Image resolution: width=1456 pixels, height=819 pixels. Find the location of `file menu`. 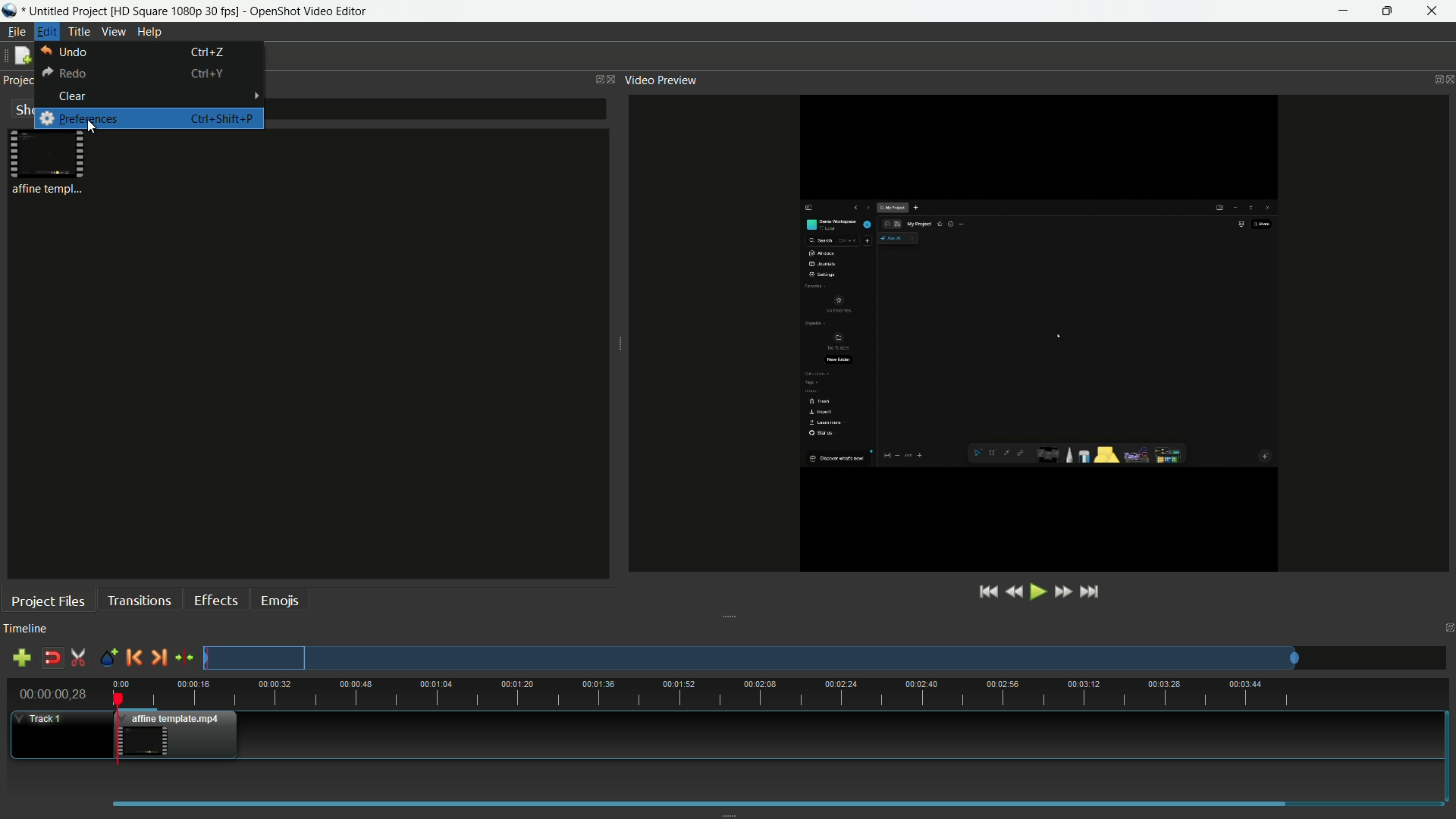

file menu is located at coordinates (15, 32).